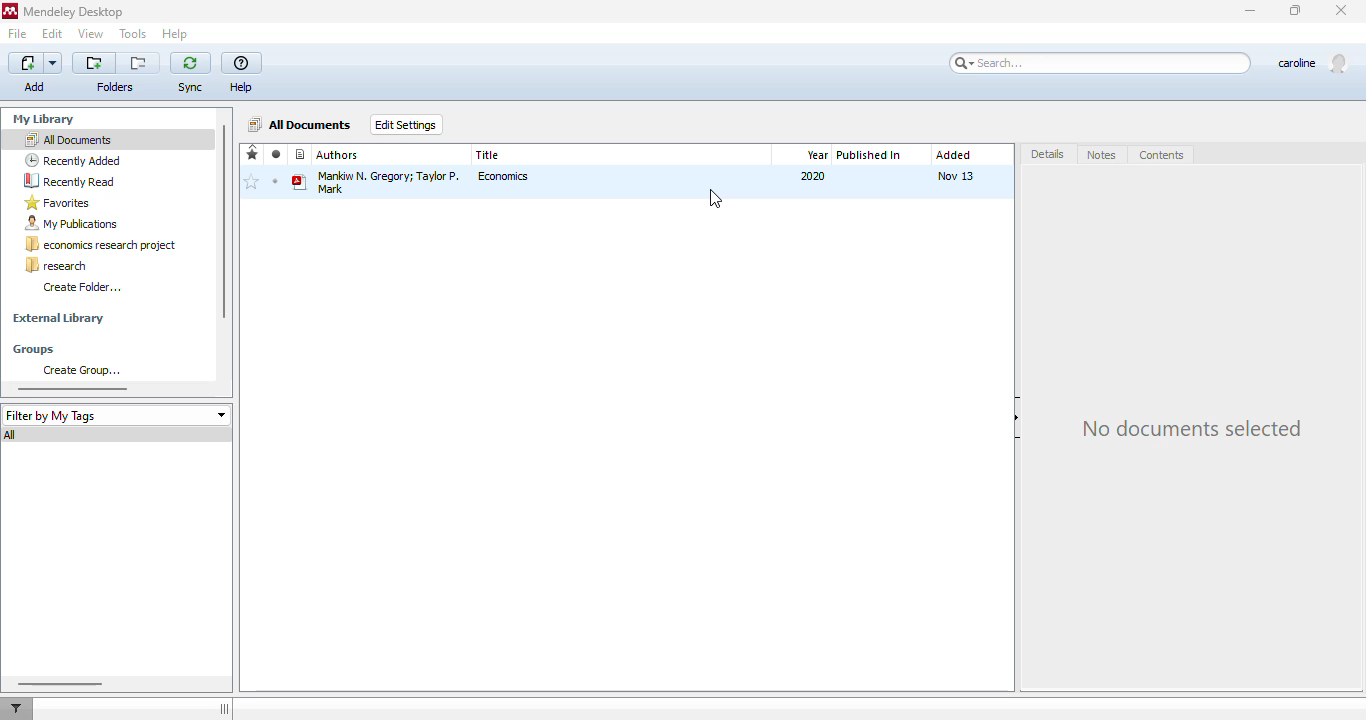  Describe the element at coordinates (1162, 155) in the screenshot. I see `contents` at that location.